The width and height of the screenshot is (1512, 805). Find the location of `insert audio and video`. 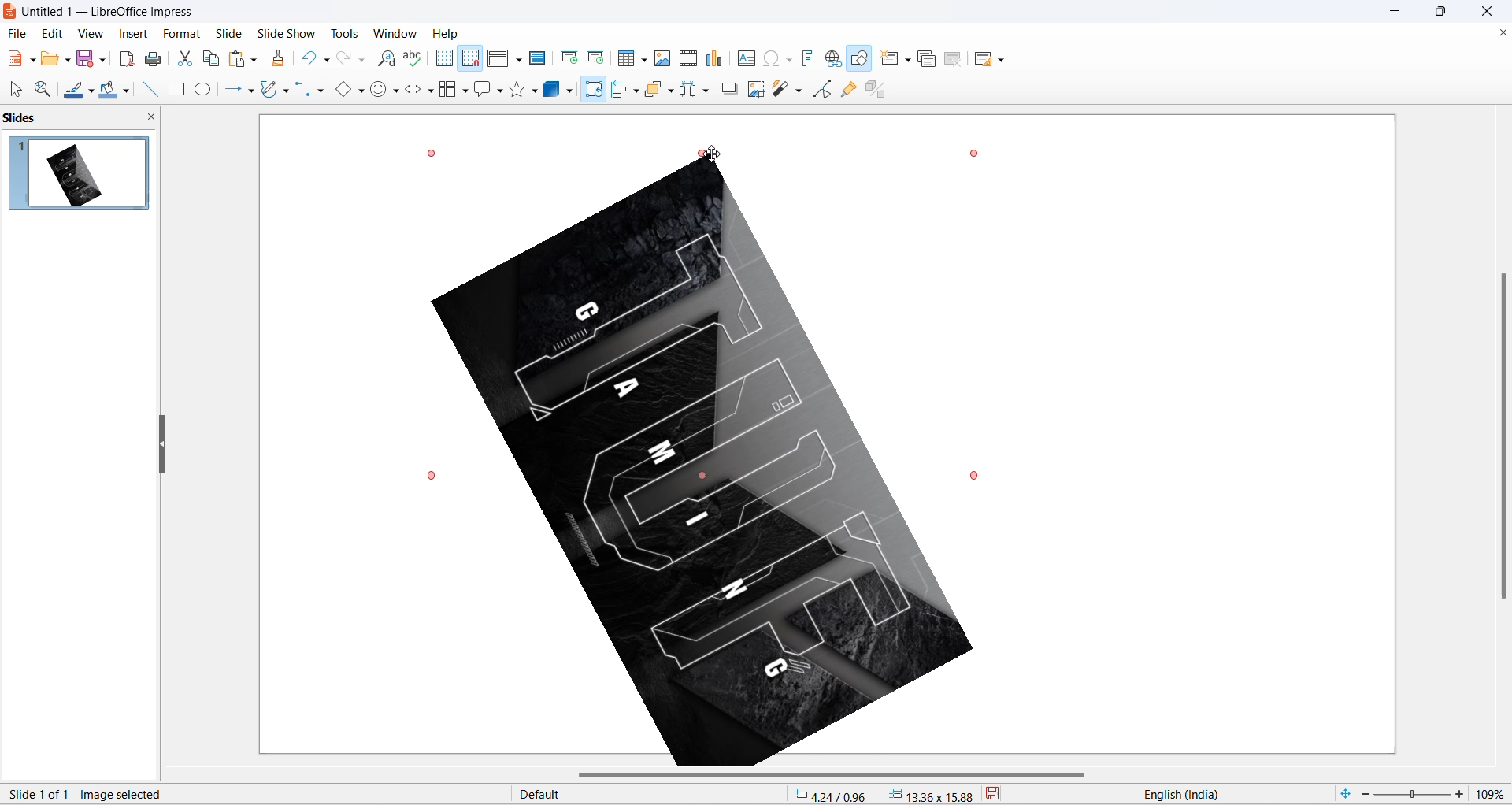

insert audio and video is located at coordinates (687, 58).